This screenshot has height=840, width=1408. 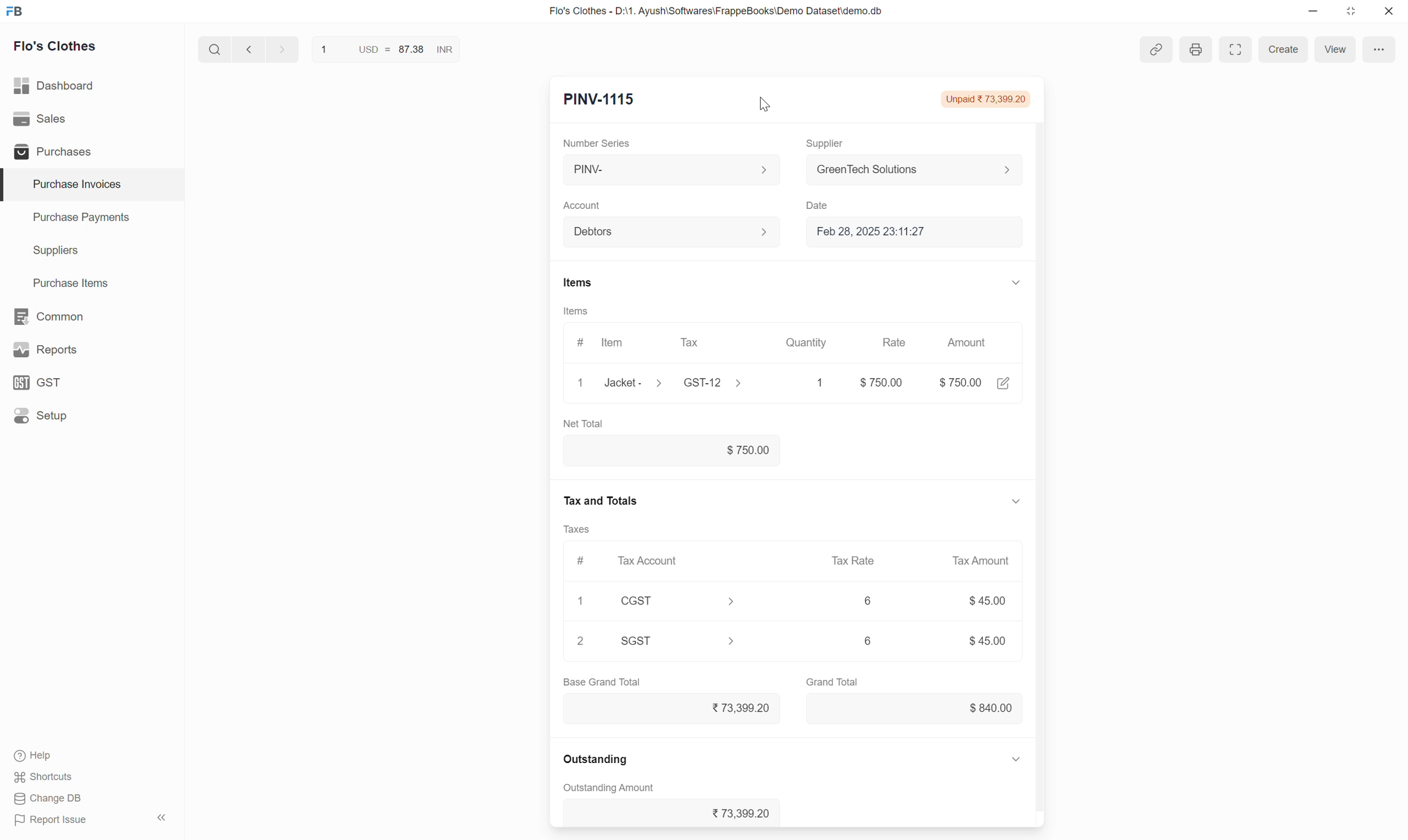 What do you see at coordinates (215, 49) in the screenshot?
I see `Search` at bounding box center [215, 49].